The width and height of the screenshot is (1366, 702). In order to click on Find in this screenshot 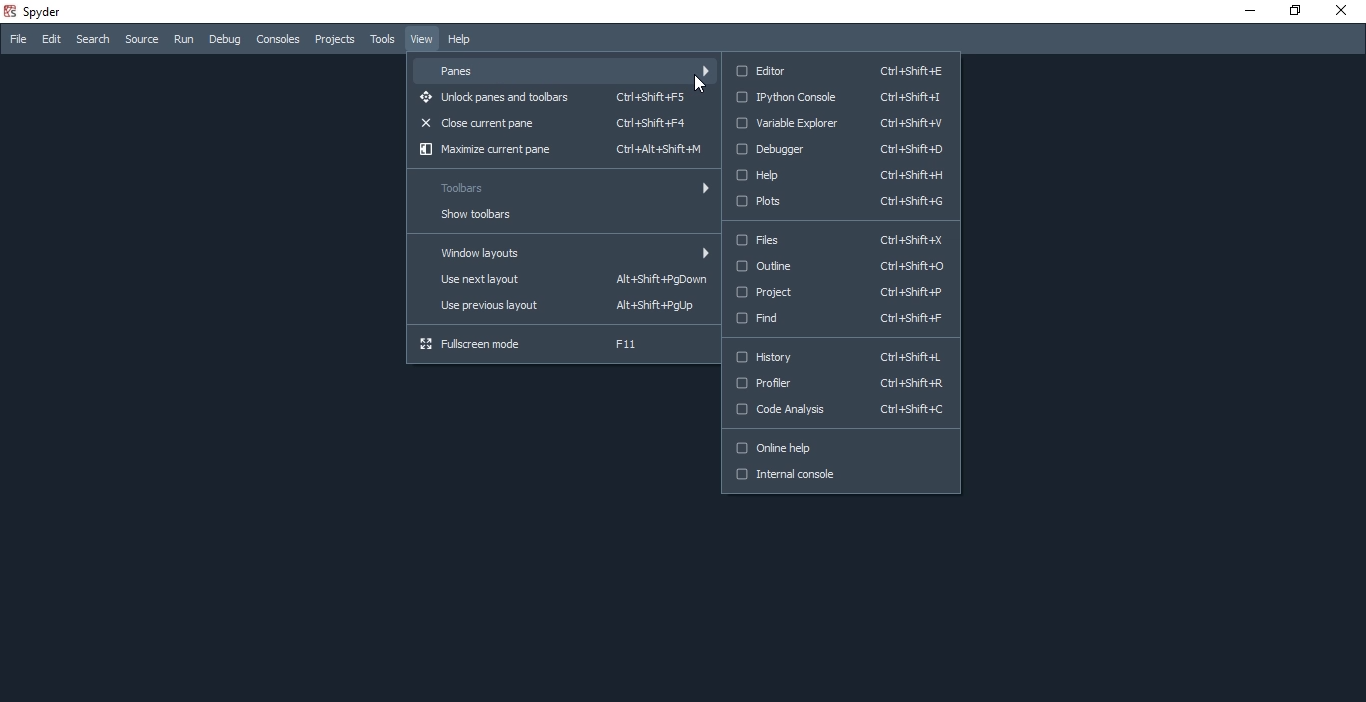, I will do `click(838, 319)`.